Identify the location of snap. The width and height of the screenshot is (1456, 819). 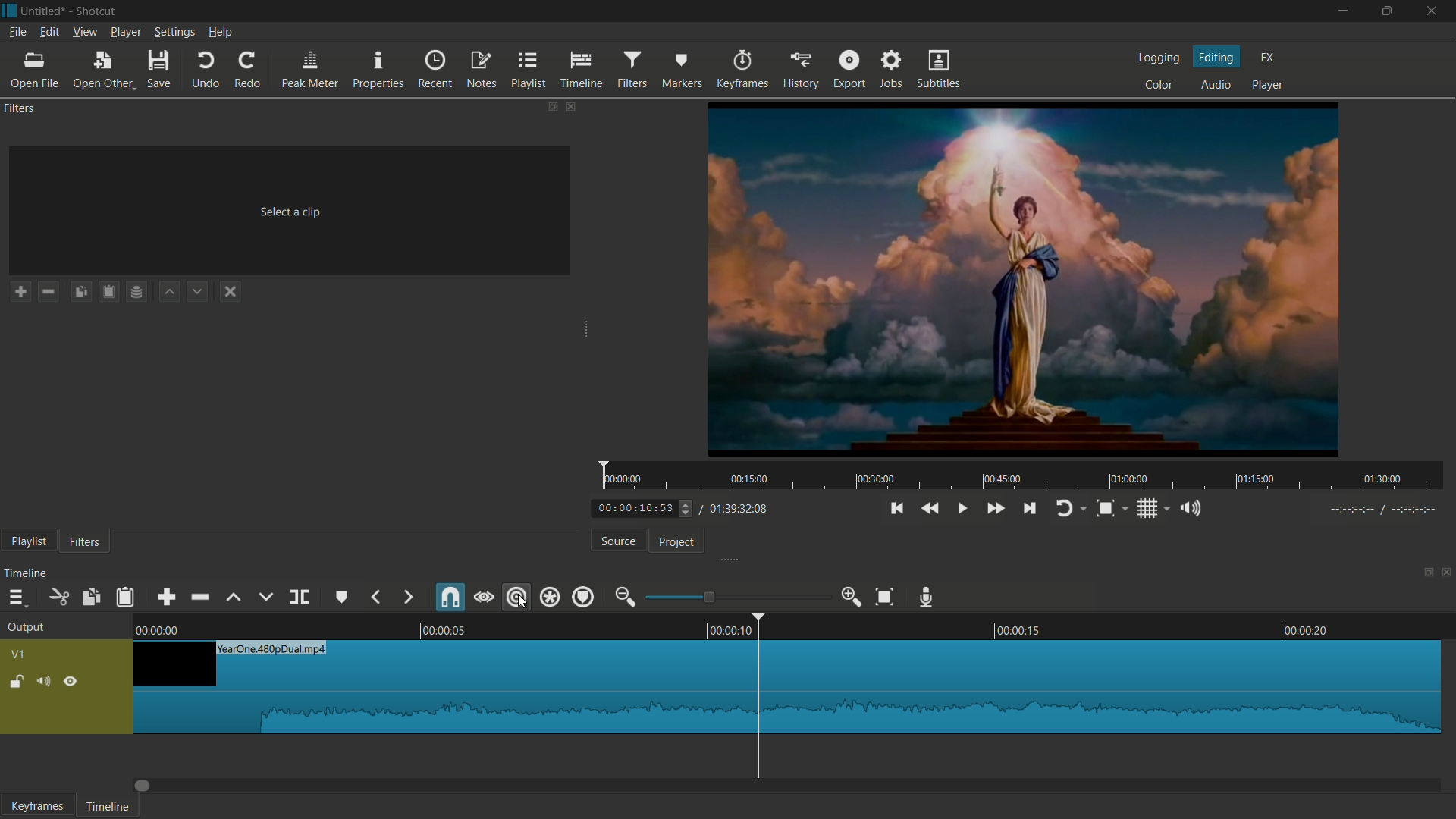
(451, 598).